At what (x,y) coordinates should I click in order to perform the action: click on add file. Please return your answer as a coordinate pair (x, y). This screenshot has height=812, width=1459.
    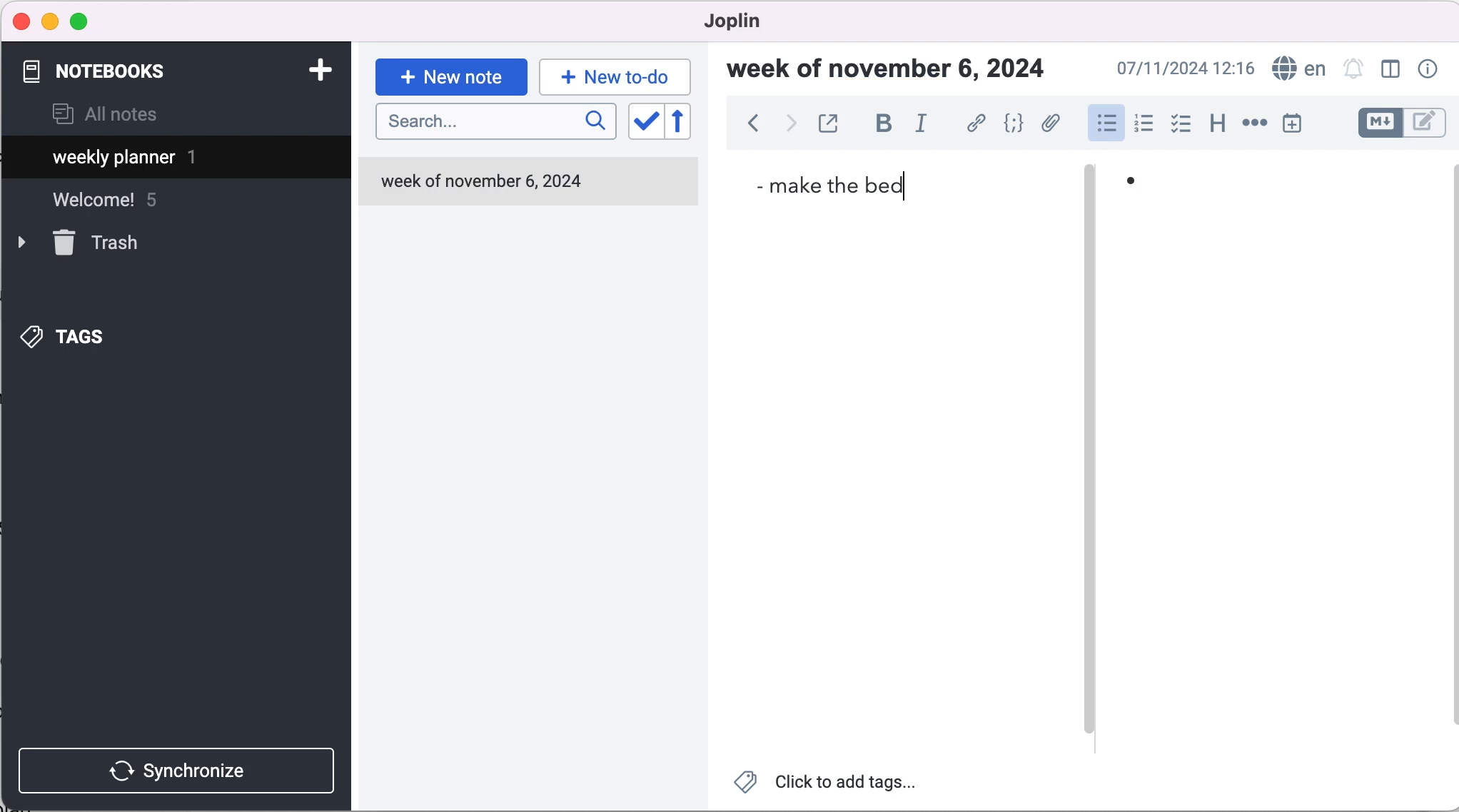
    Looking at the image, I should click on (1051, 126).